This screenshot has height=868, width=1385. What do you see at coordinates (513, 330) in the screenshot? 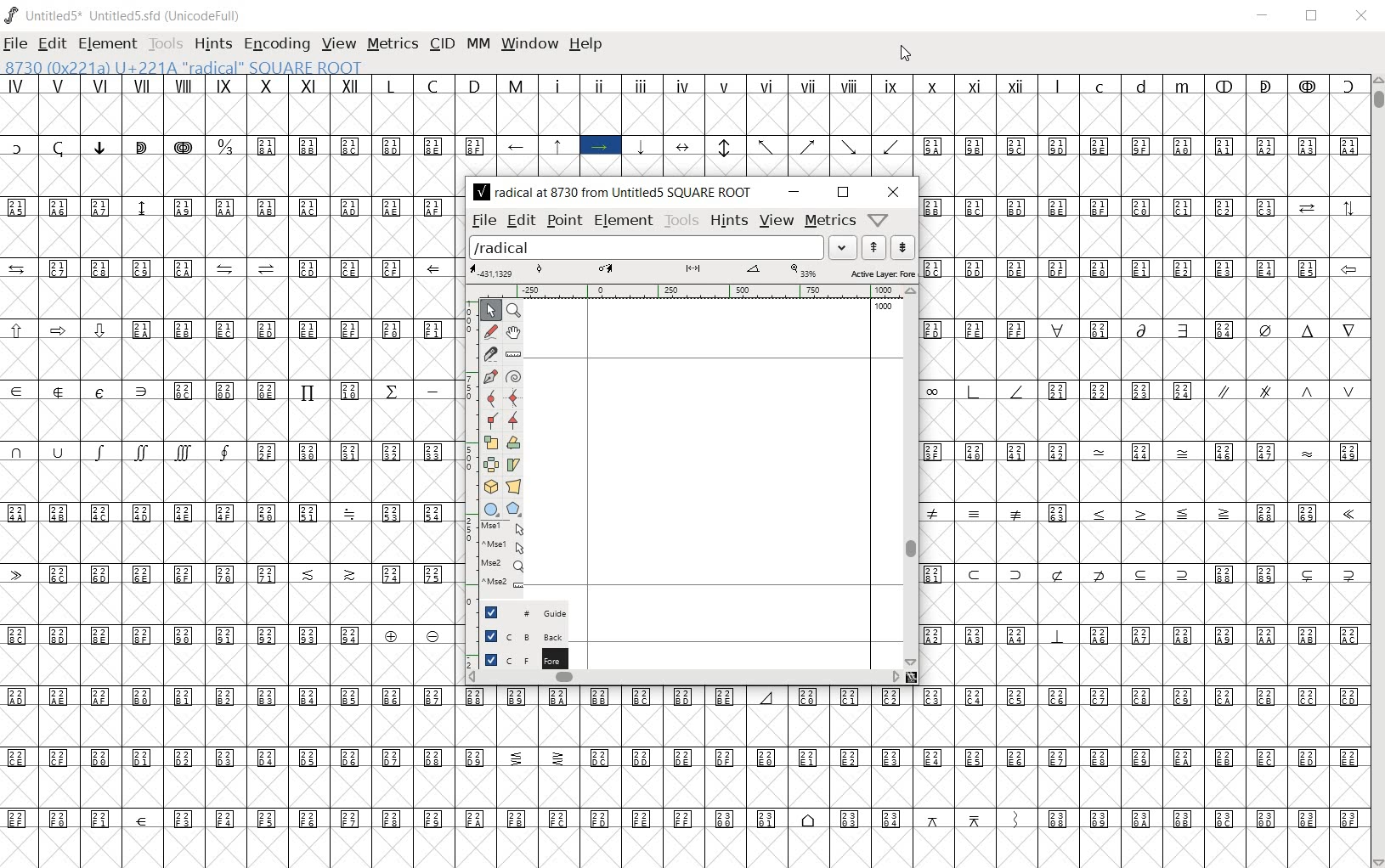
I see `scroll by hand` at bounding box center [513, 330].